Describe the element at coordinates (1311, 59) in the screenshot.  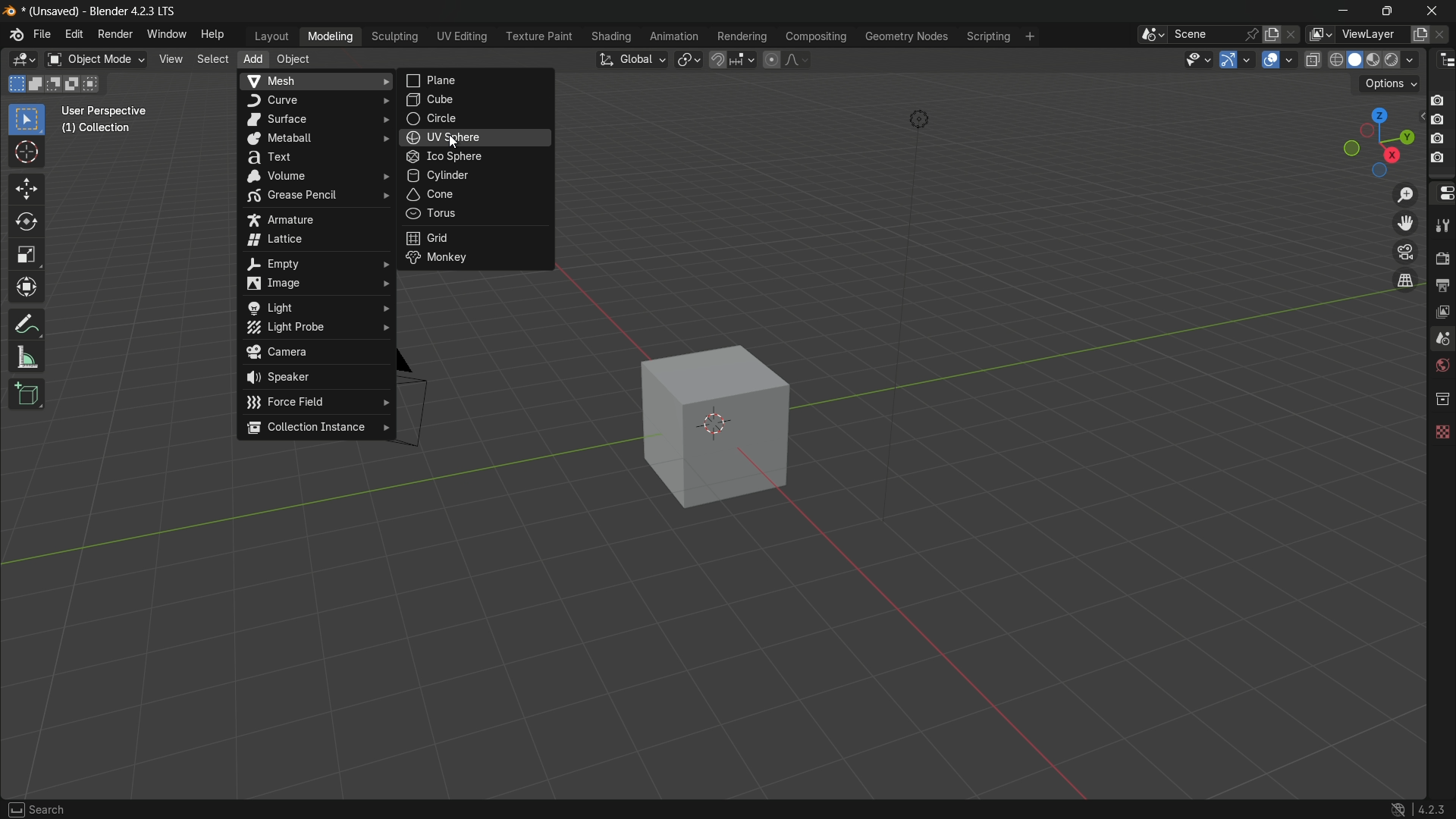
I see `toggle x ray` at that location.